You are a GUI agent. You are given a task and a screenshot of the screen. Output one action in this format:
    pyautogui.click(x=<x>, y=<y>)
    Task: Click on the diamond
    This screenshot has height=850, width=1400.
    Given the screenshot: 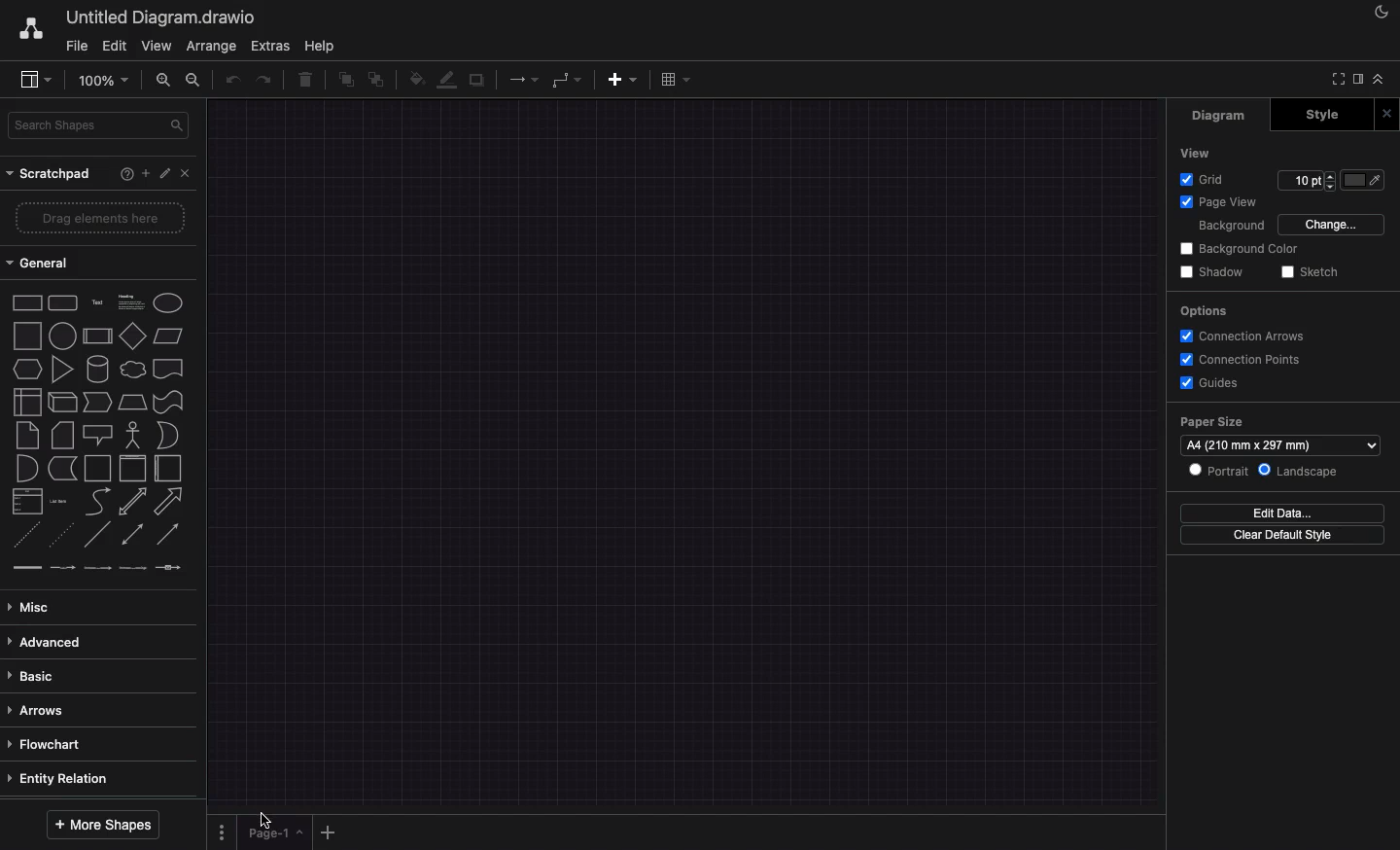 What is the action you would take?
    pyautogui.click(x=133, y=336)
    